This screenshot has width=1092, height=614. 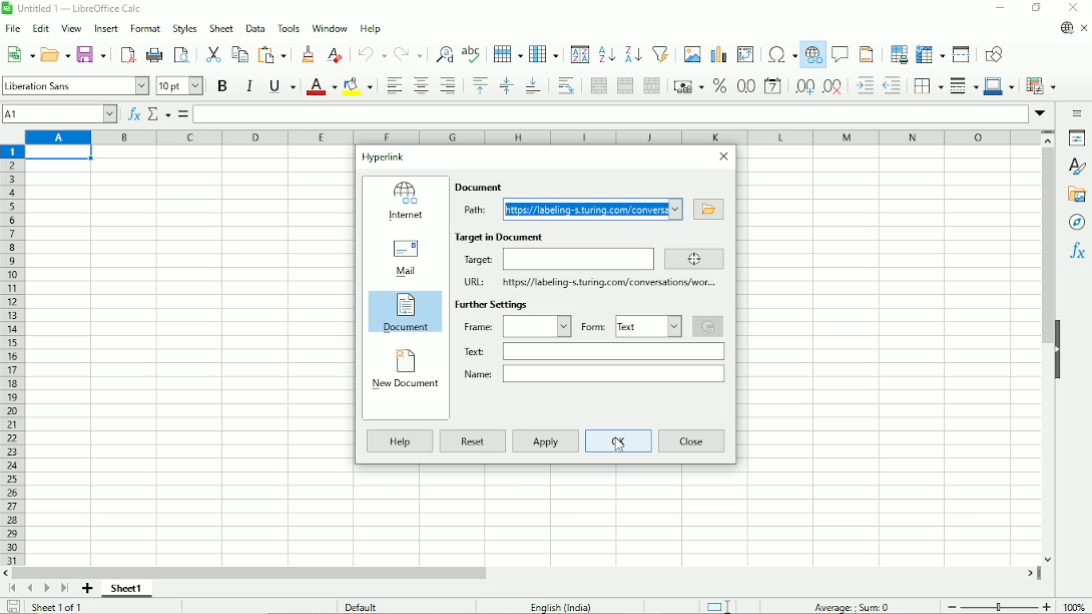 What do you see at coordinates (321, 87) in the screenshot?
I see `Font color` at bounding box center [321, 87].